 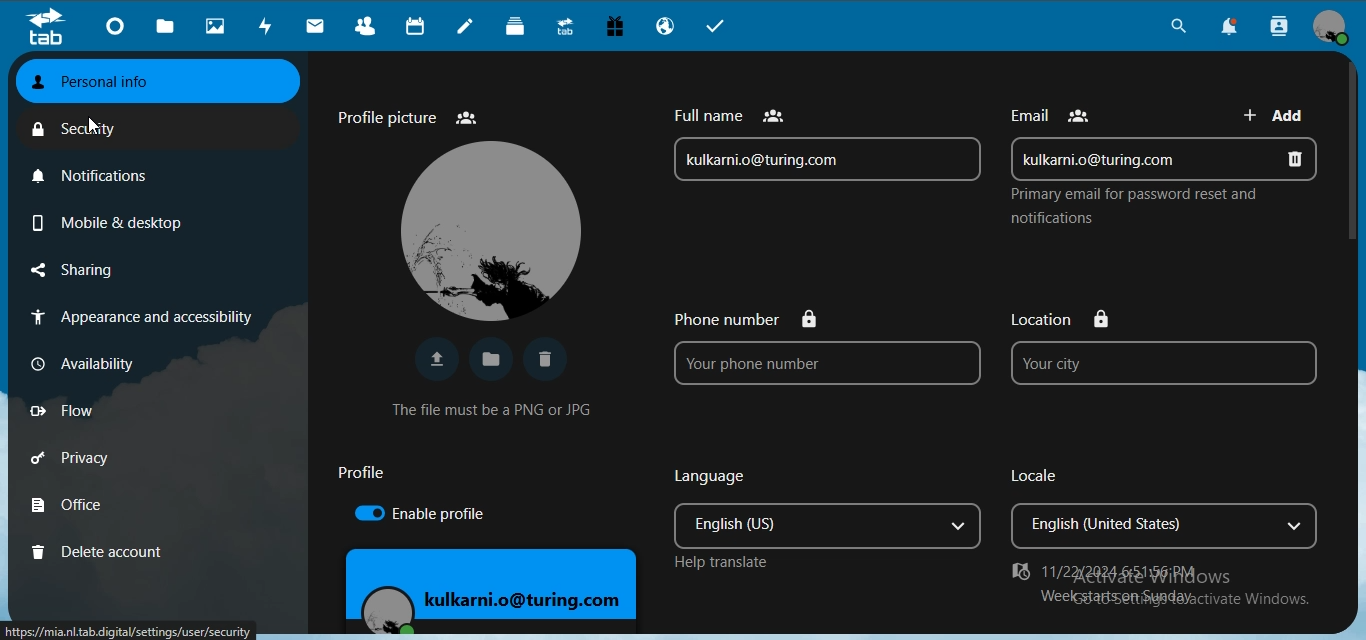 I want to click on image, so click(x=480, y=230).